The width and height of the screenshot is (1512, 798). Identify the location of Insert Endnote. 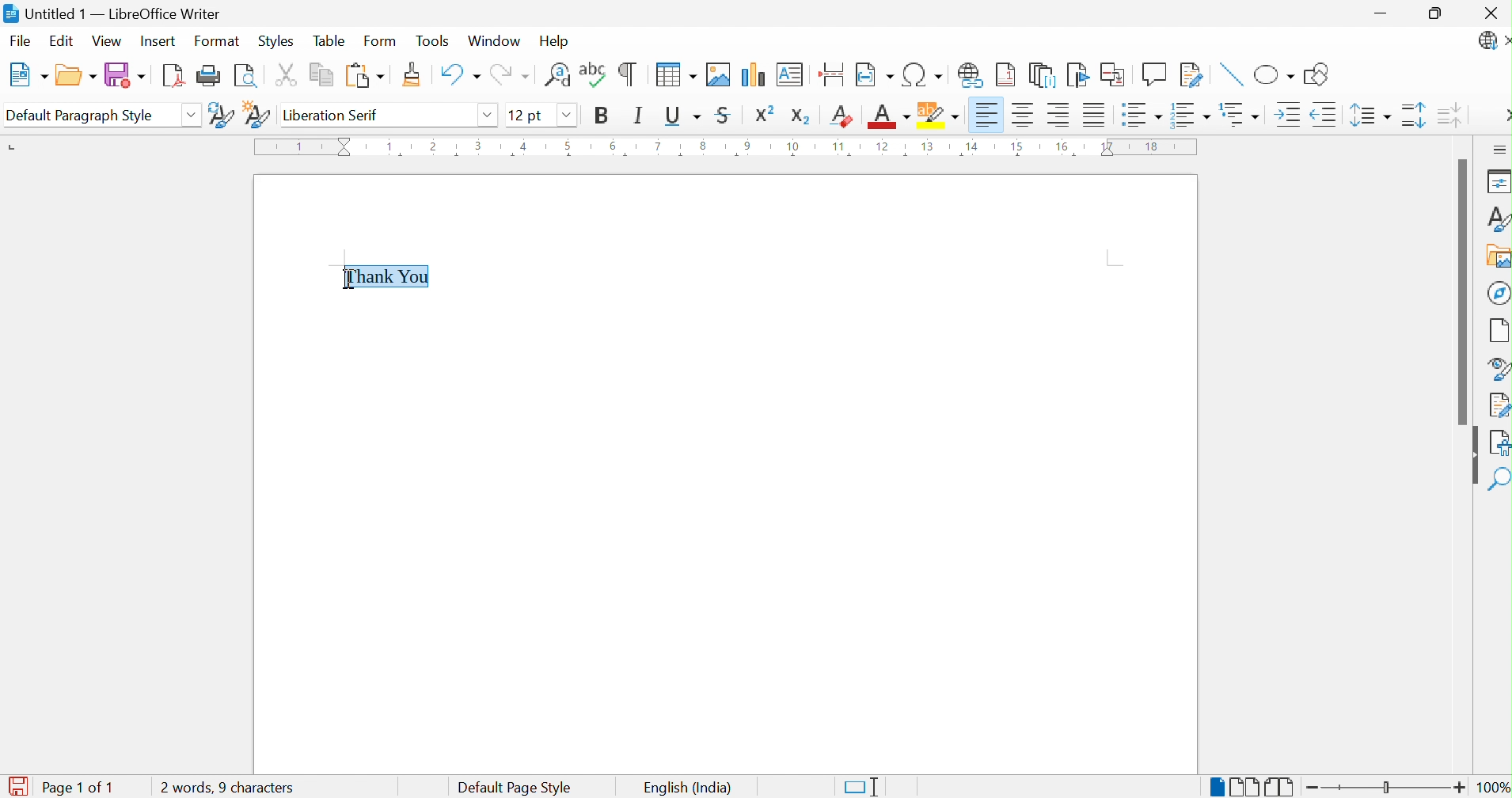
(1042, 77).